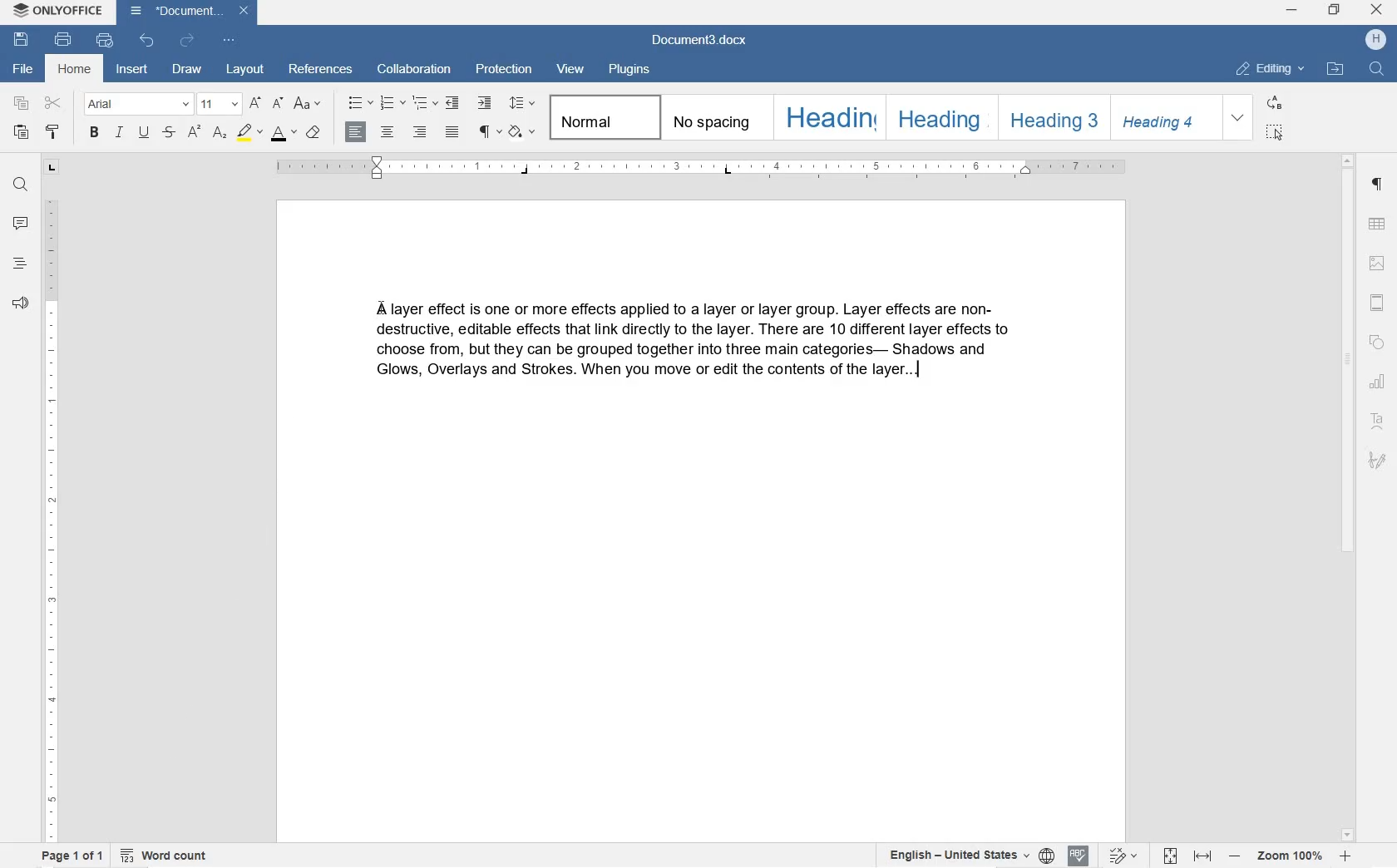  Describe the element at coordinates (22, 104) in the screenshot. I see `COPY` at that location.